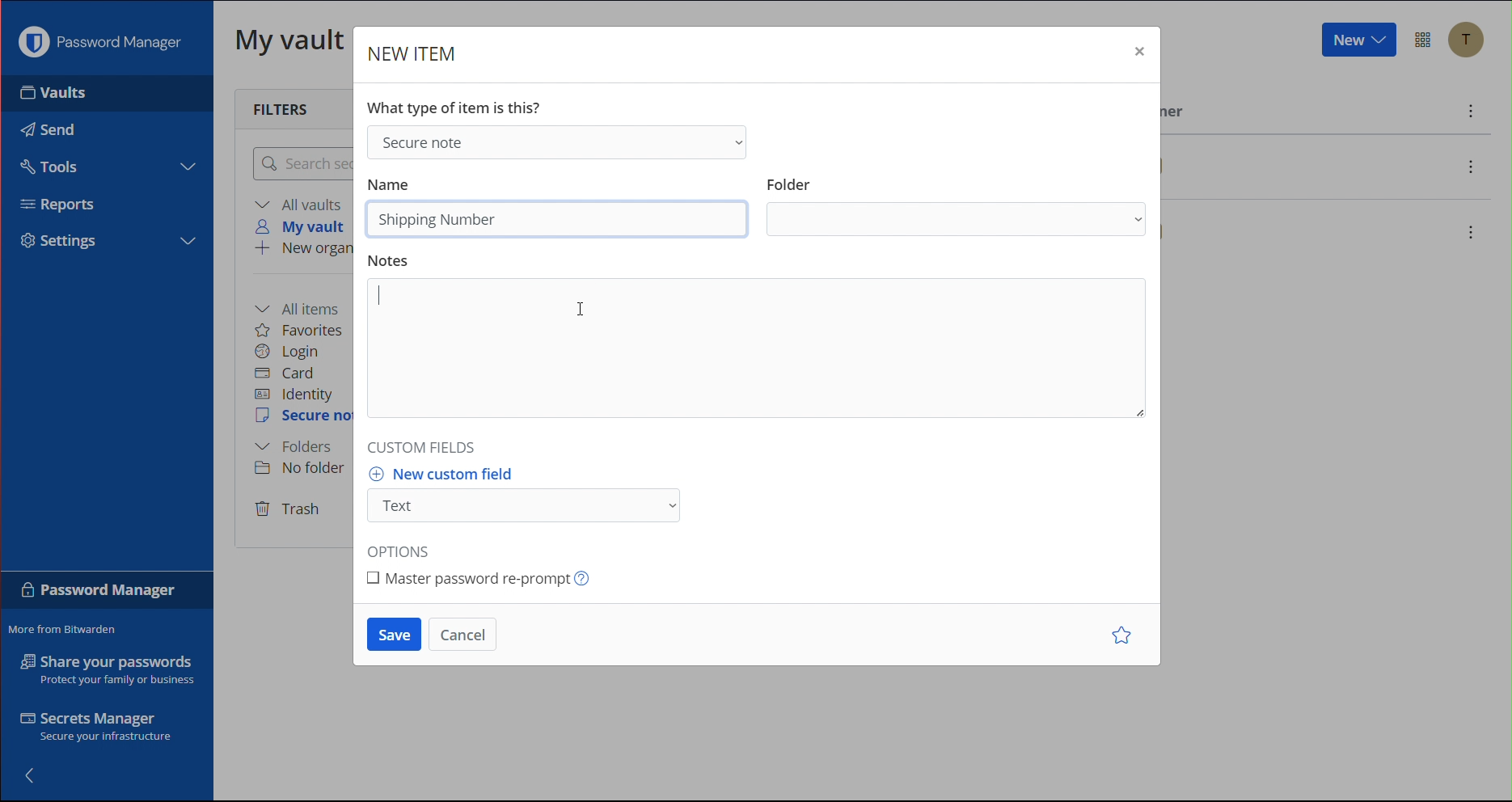 This screenshot has width=1512, height=802. What do you see at coordinates (94, 726) in the screenshot?
I see `Secrets Manager` at bounding box center [94, 726].